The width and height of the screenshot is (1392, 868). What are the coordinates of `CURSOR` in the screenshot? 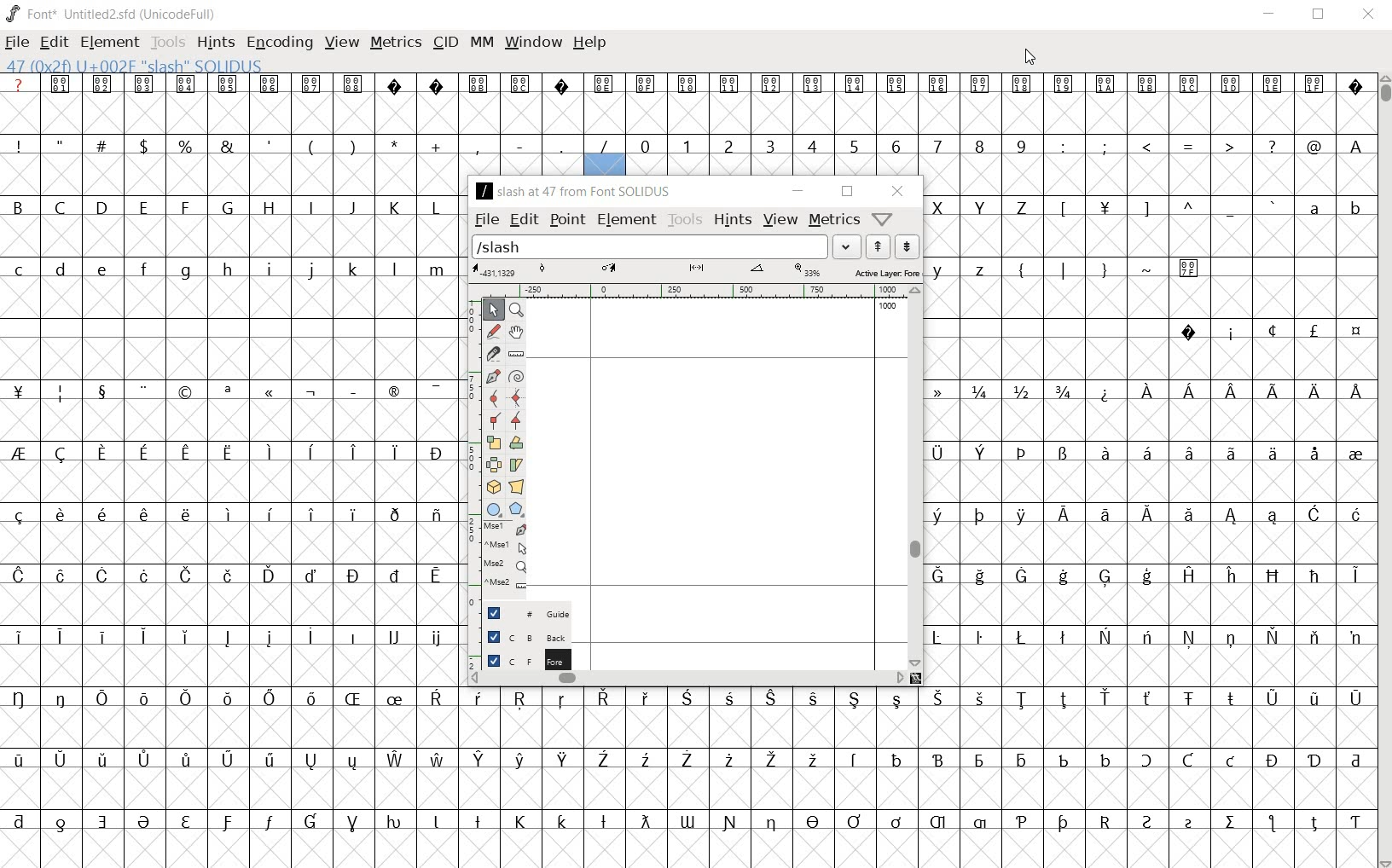 It's located at (1383, 472).